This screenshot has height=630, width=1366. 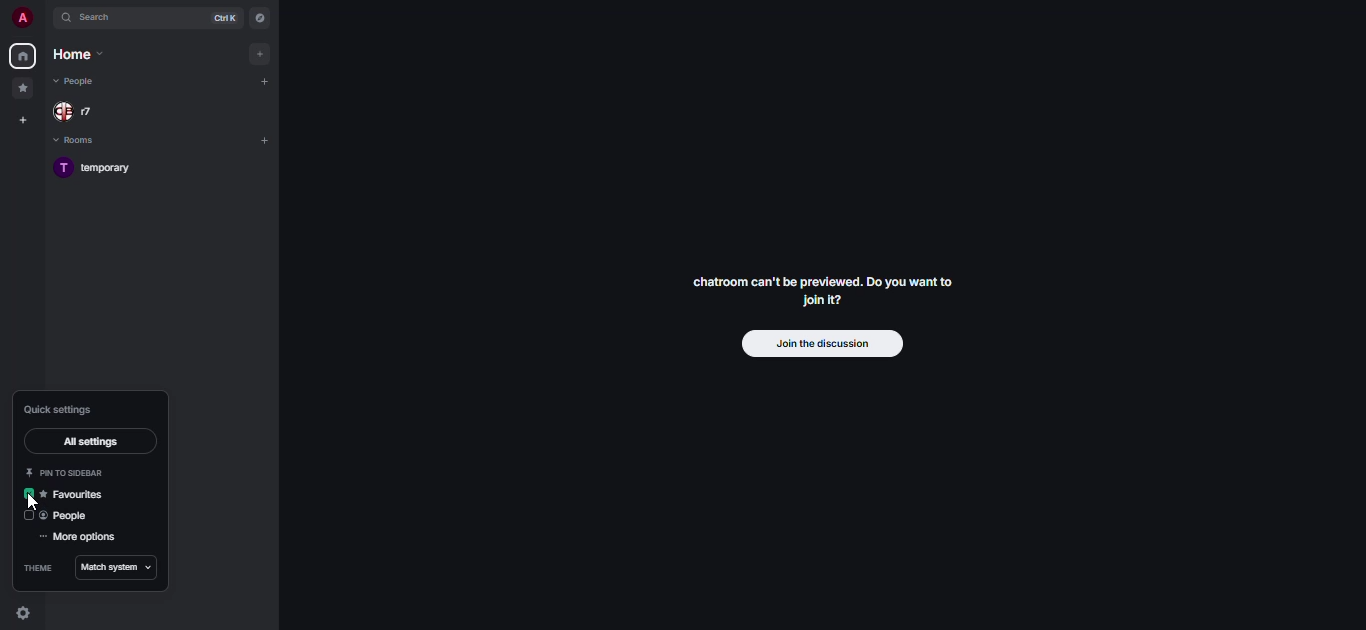 I want to click on favorites, so click(x=23, y=87).